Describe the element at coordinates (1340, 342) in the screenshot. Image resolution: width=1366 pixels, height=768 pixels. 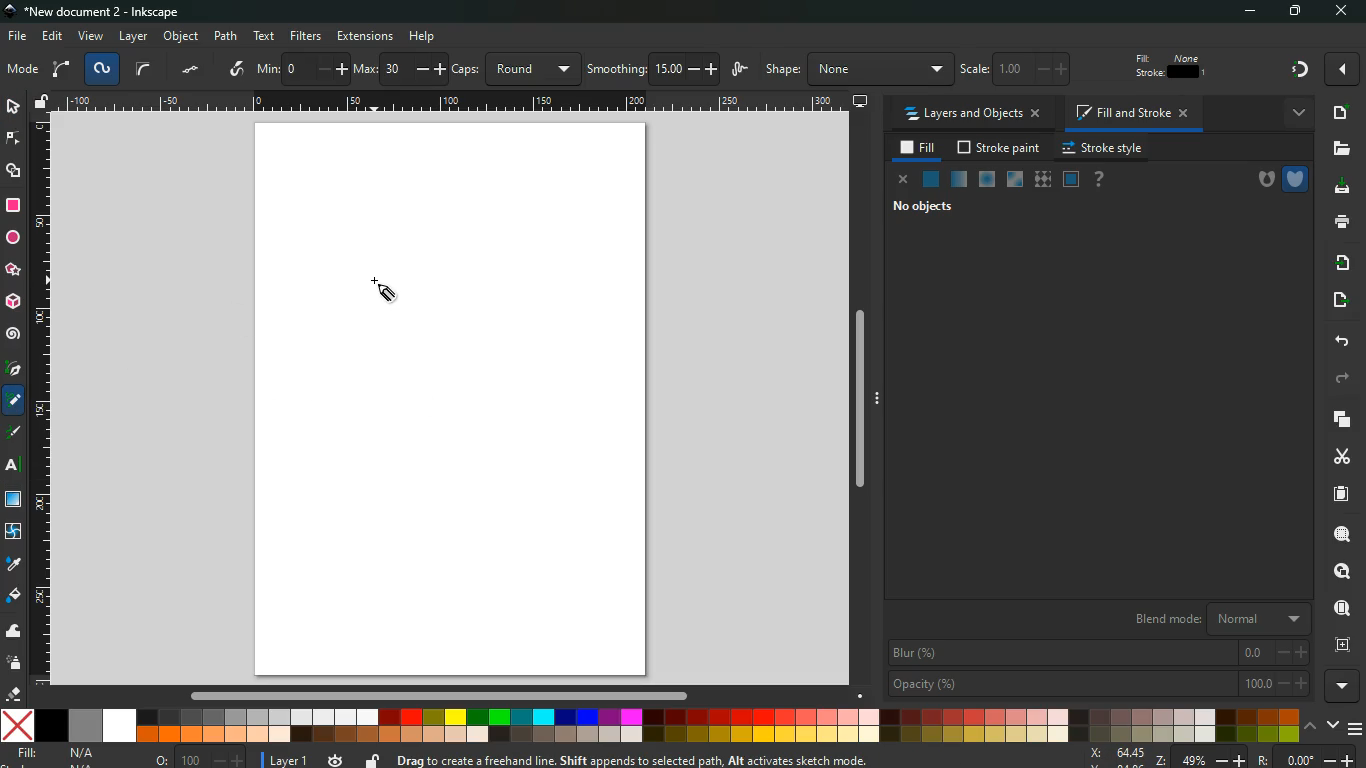
I see `back` at that location.